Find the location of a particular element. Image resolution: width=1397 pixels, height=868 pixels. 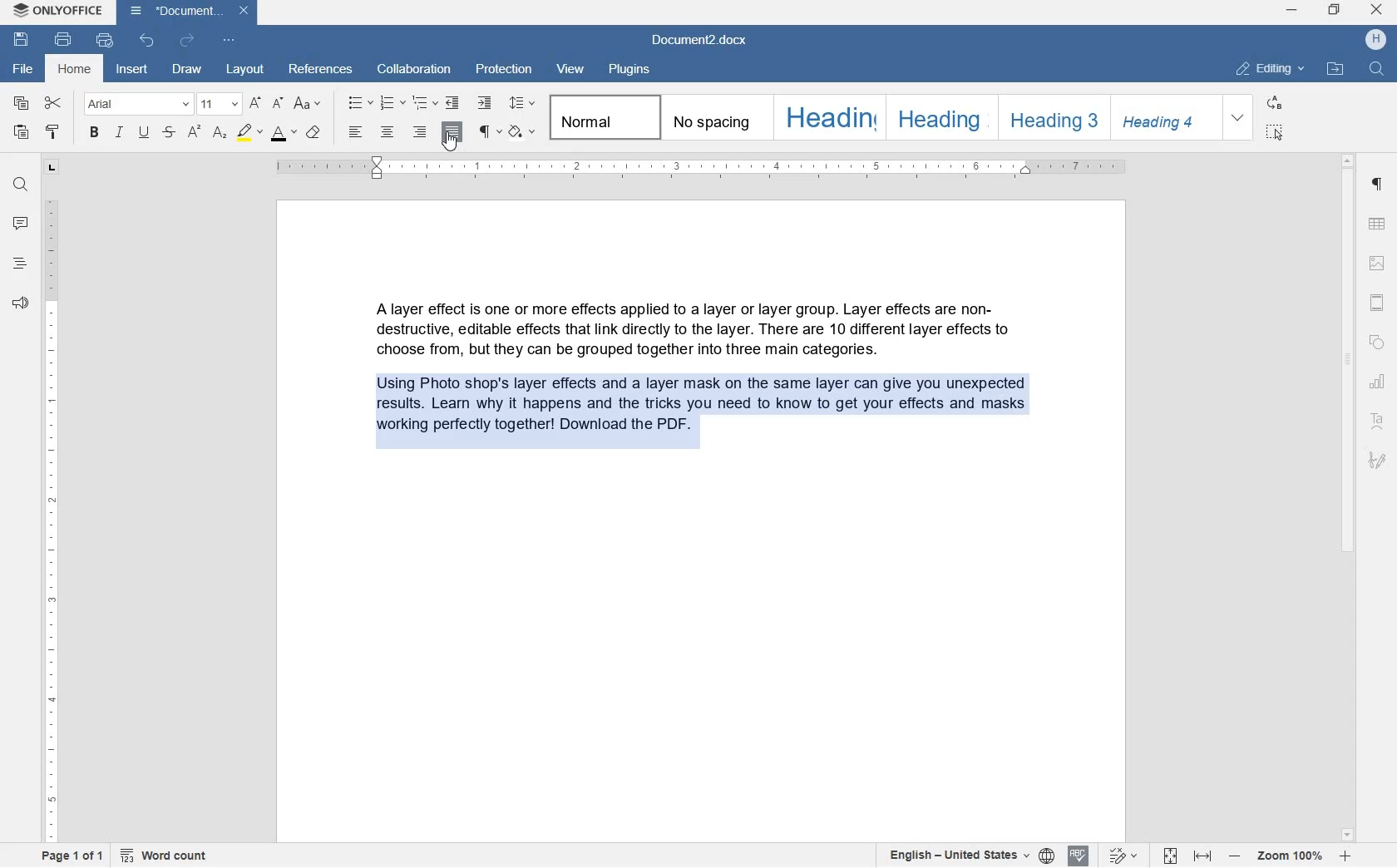

DOCUMENT2.DOCX is located at coordinates (188, 13).